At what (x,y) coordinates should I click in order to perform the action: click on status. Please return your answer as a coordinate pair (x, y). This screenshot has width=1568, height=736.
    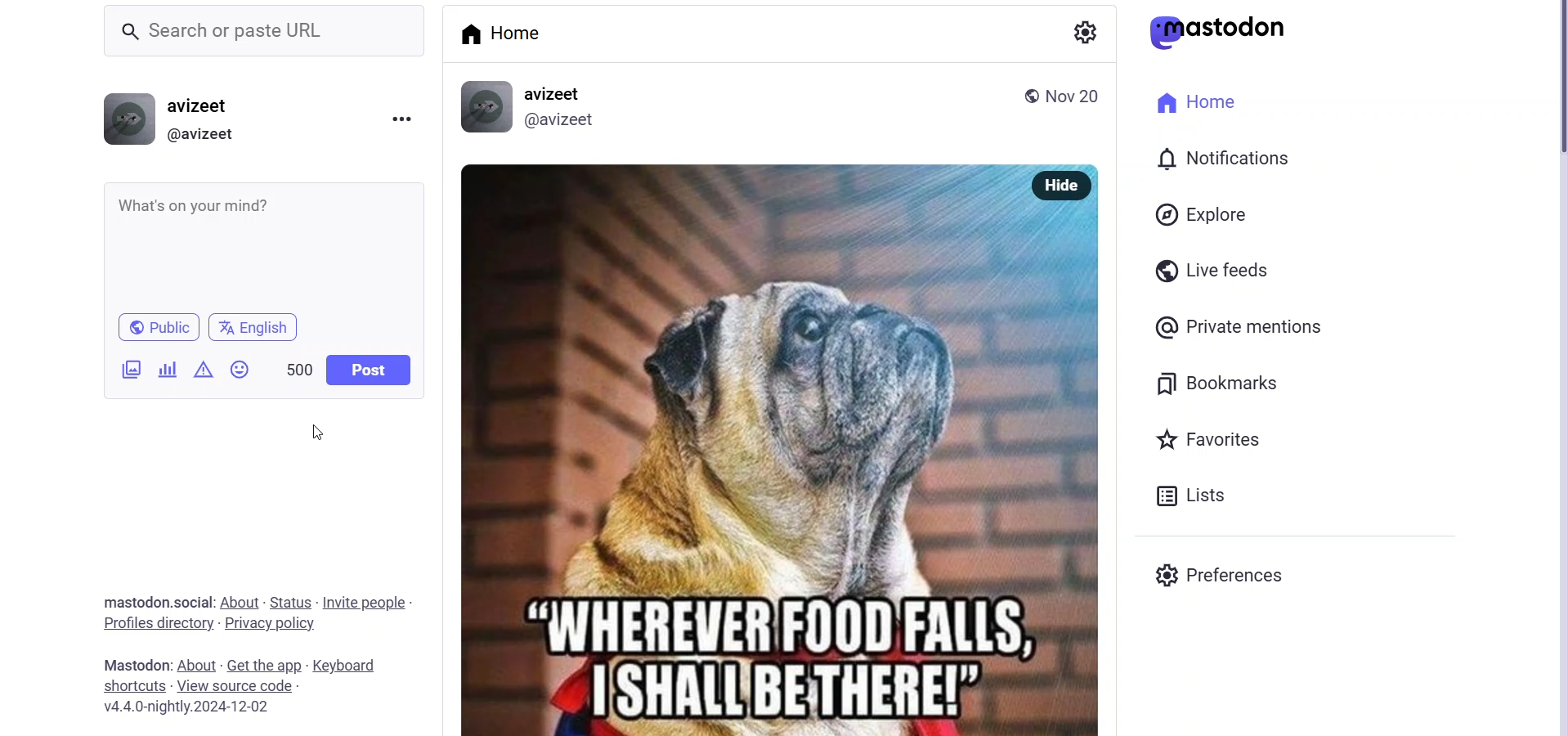
    Looking at the image, I should click on (291, 600).